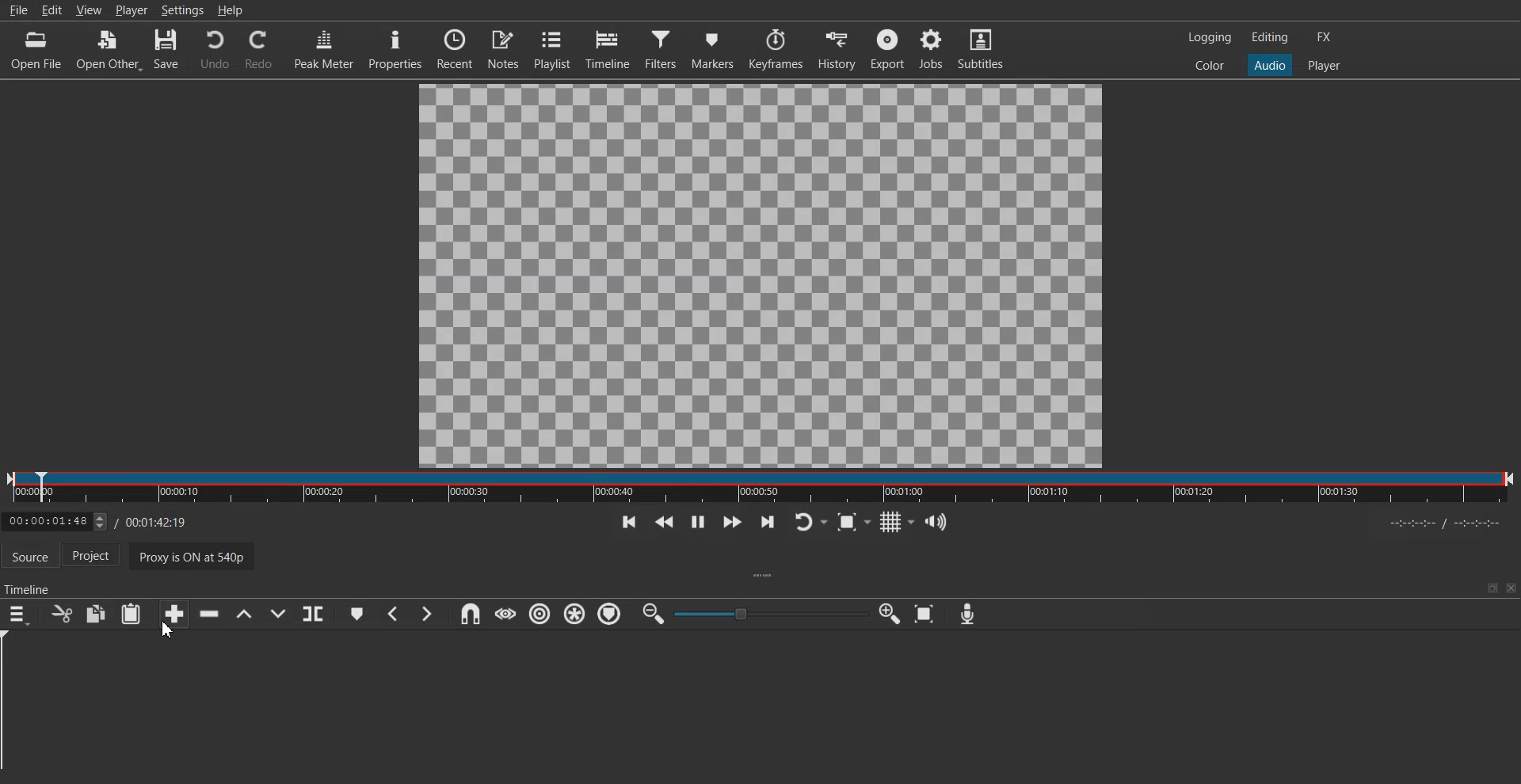 This screenshot has width=1521, height=784. I want to click on Recent, so click(452, 48).